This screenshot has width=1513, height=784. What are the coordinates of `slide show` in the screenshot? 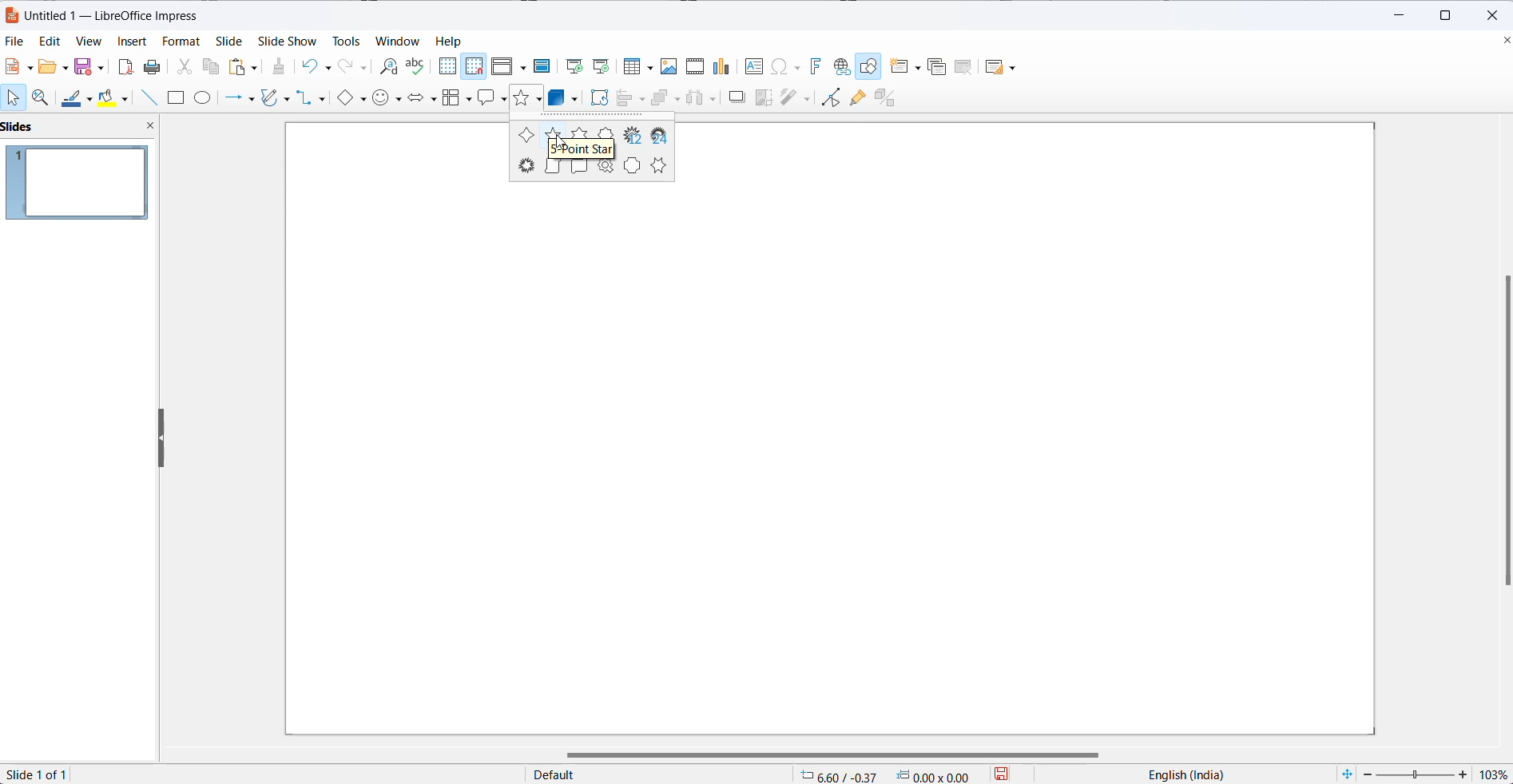 It's located at (287, 41).